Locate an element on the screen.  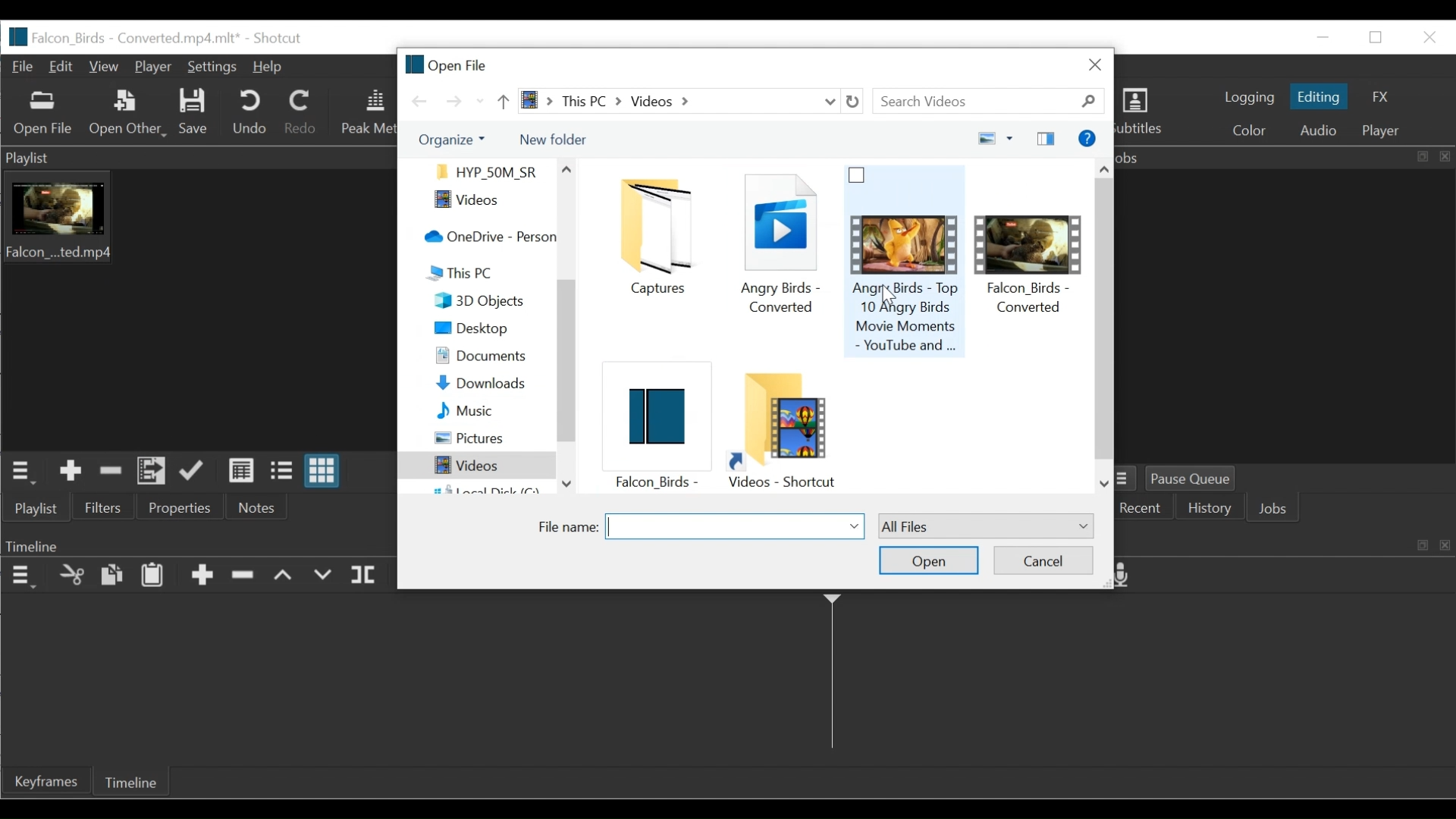
Properties is located at coordinates (184, 506).